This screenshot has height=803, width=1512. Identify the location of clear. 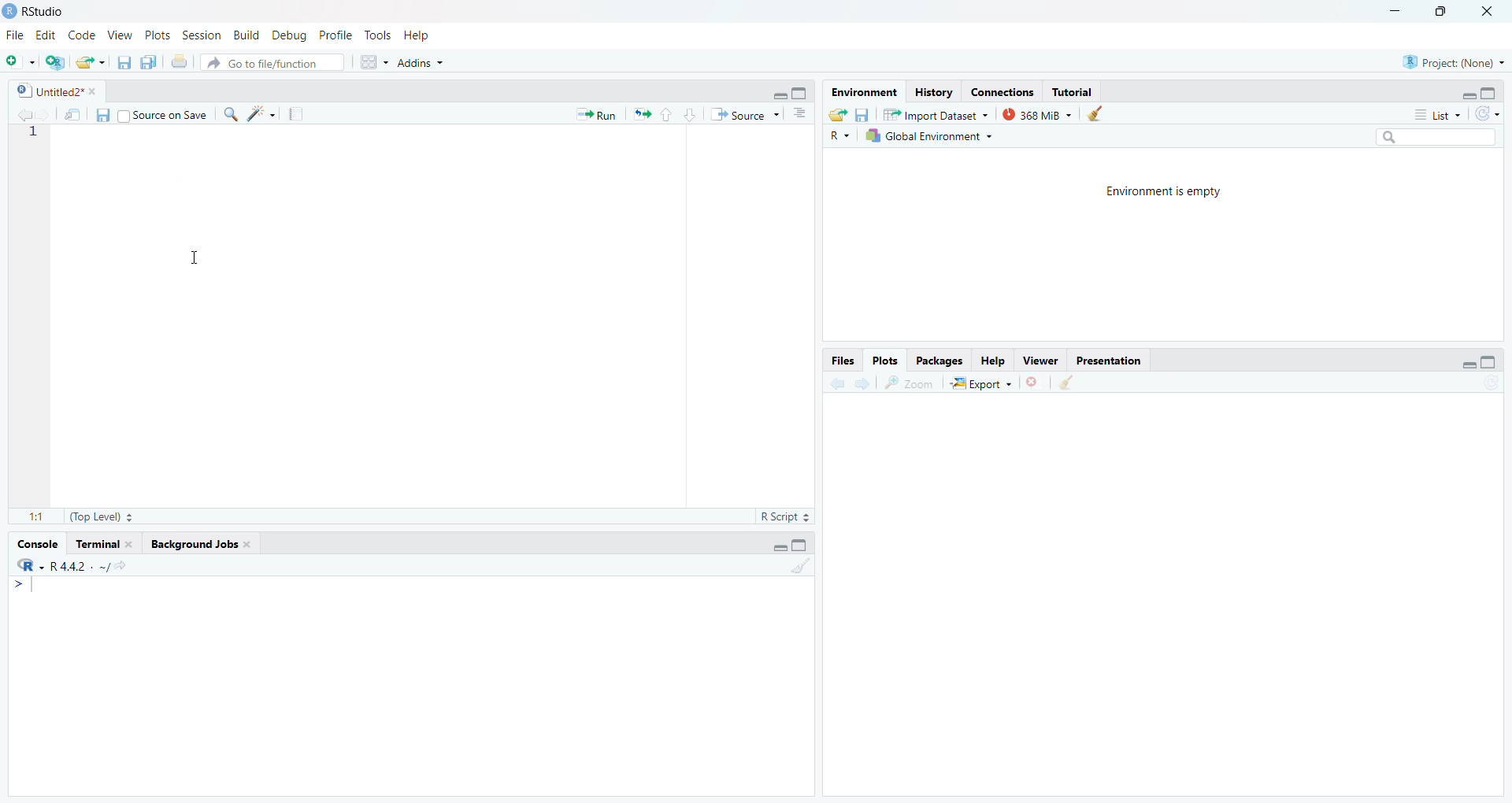
(801, 571).